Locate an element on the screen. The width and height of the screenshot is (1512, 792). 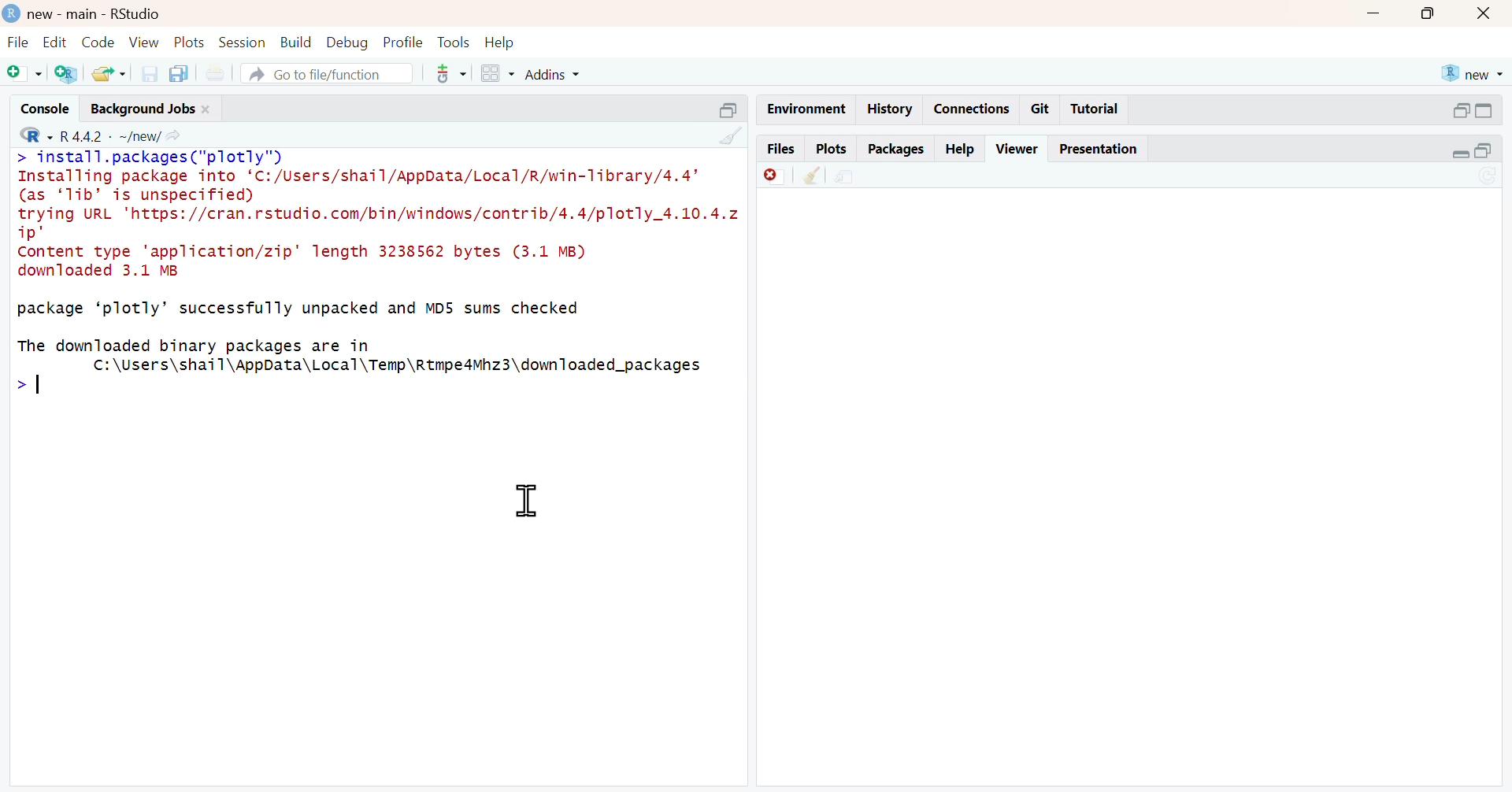
presentation is located at coordinates (1101, 149).